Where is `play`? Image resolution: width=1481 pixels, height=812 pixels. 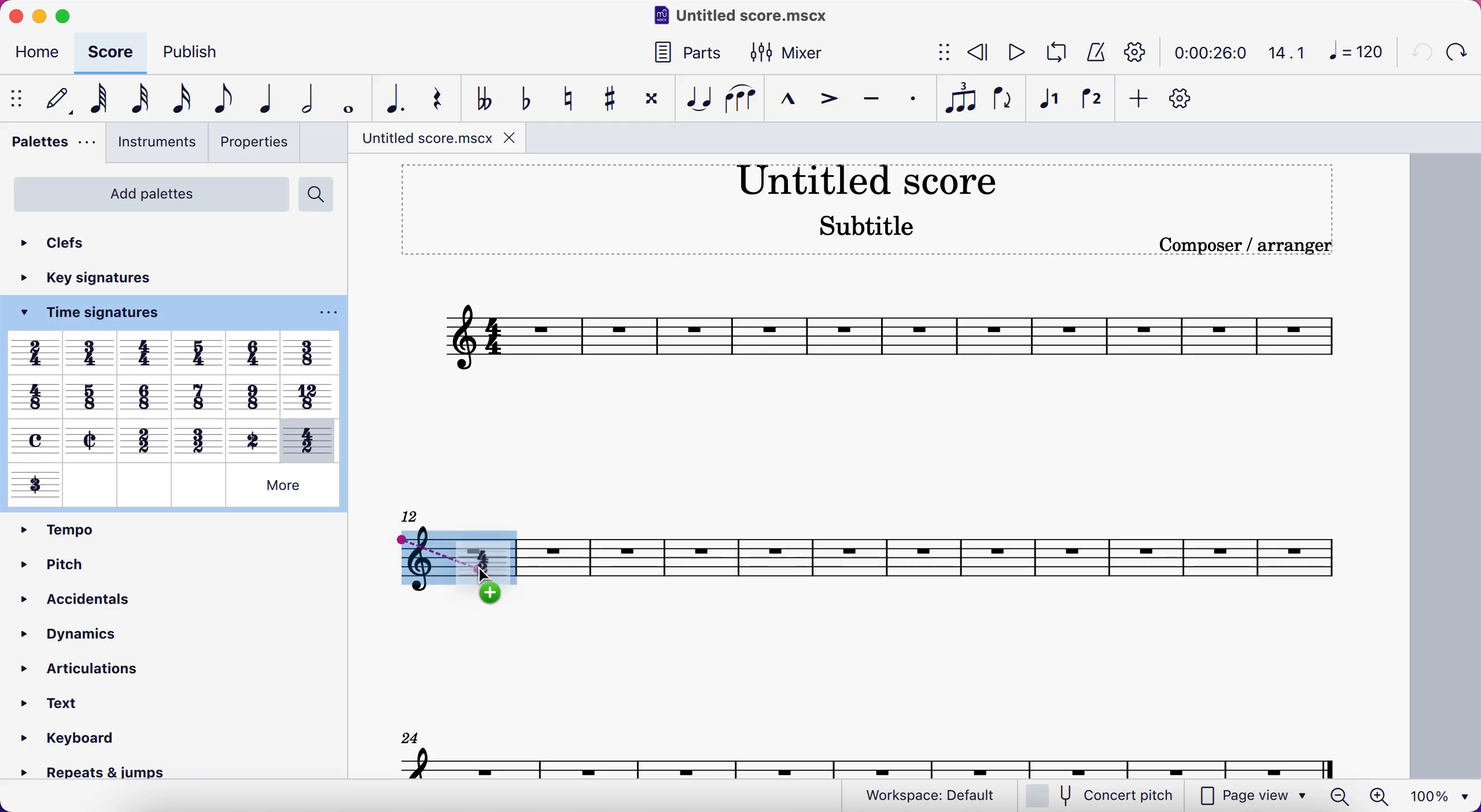 play is located at coordinates (1010, 53).